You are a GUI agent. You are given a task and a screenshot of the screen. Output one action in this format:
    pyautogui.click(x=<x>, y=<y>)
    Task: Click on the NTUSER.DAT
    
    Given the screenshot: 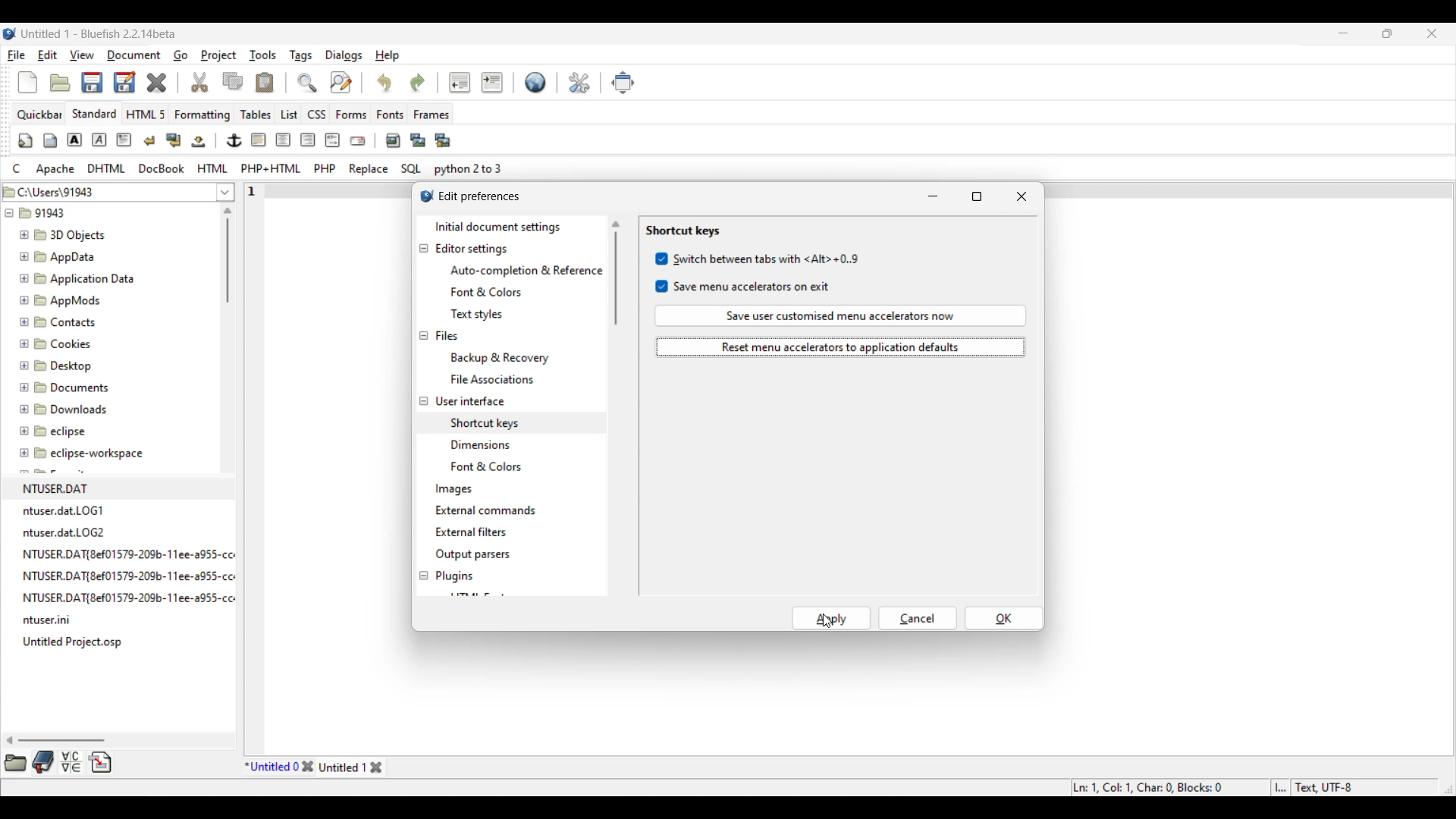 What is the action you would take?
    pyautogui.click(x=61, y=488)
    